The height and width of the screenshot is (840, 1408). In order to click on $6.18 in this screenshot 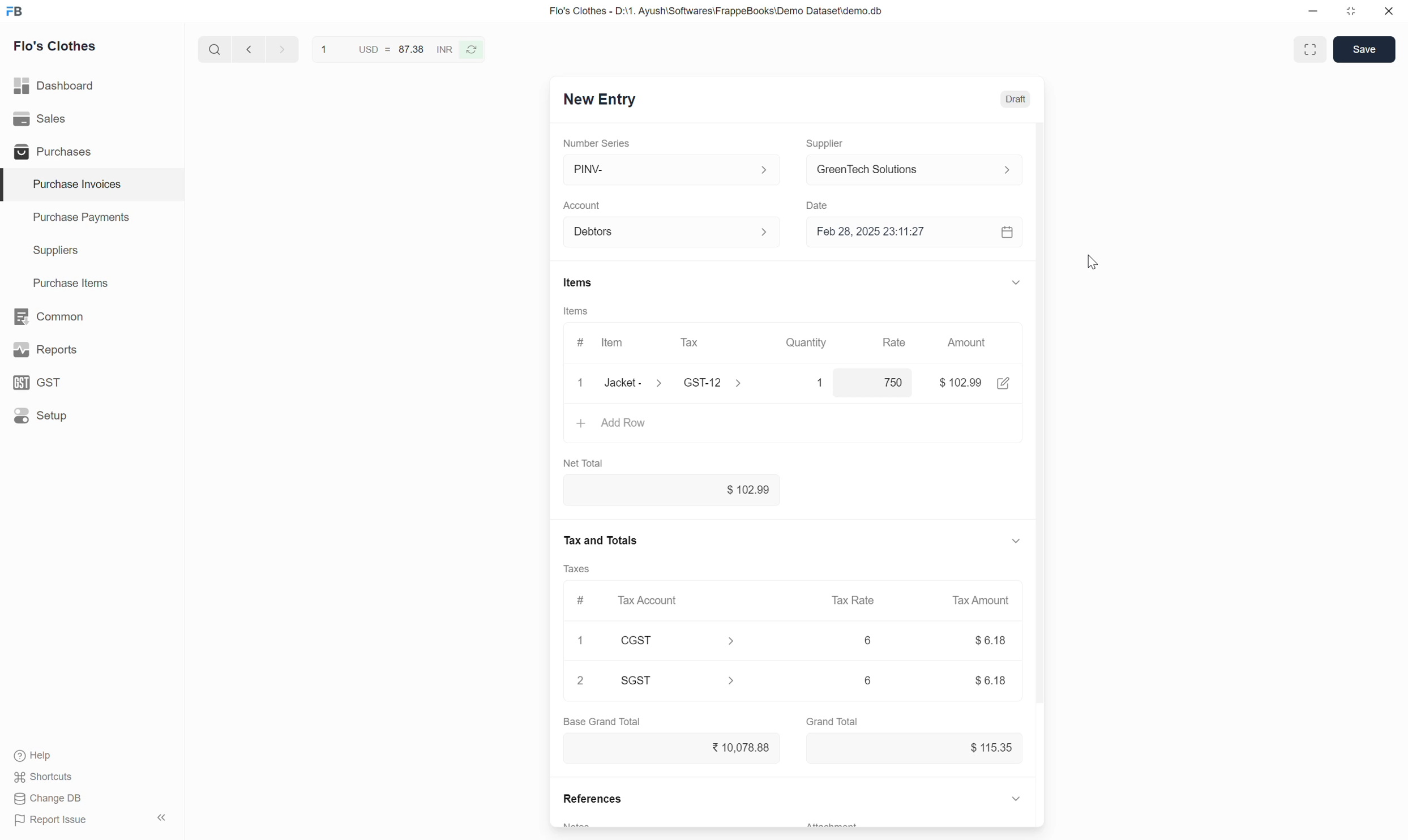, I will do `click(991, 640)`.